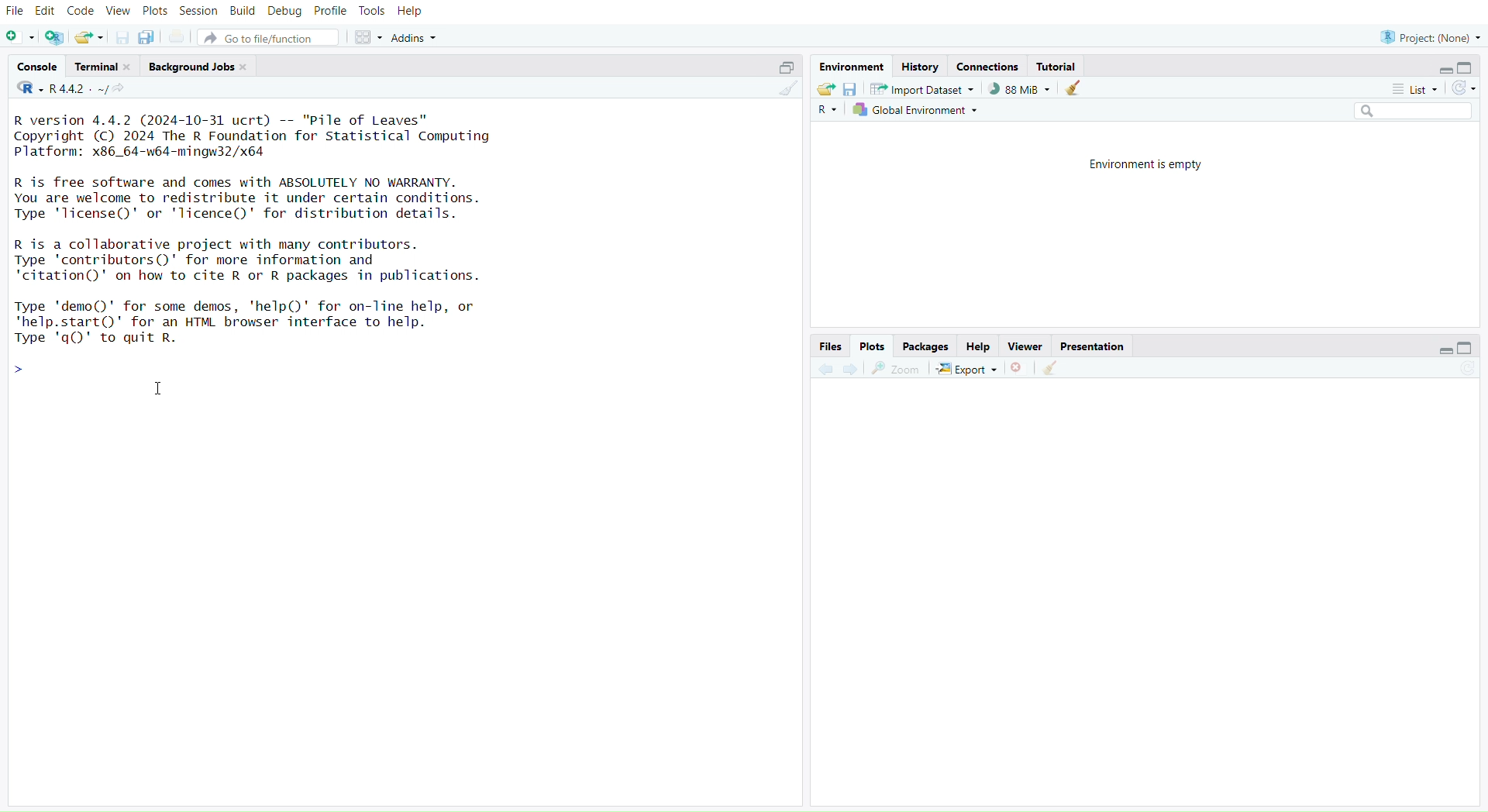  Describe the element at coordinates (155, 13) in the screenshot. I see `plots` at that location.